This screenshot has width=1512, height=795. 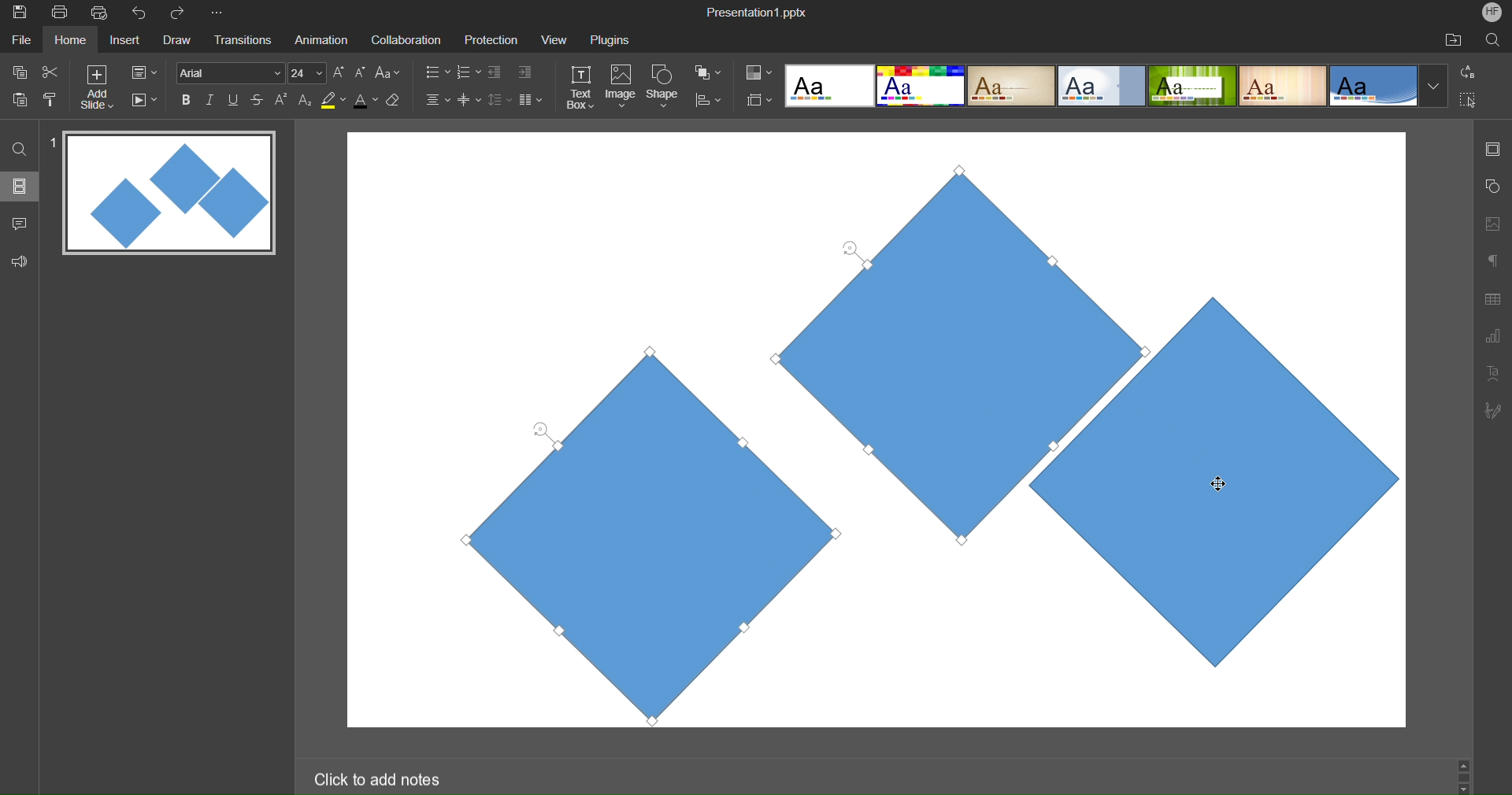 What do you see at coordinates (1492, 338) in the screenshot?
I see `Graph` at bounding box center [1492, 338].